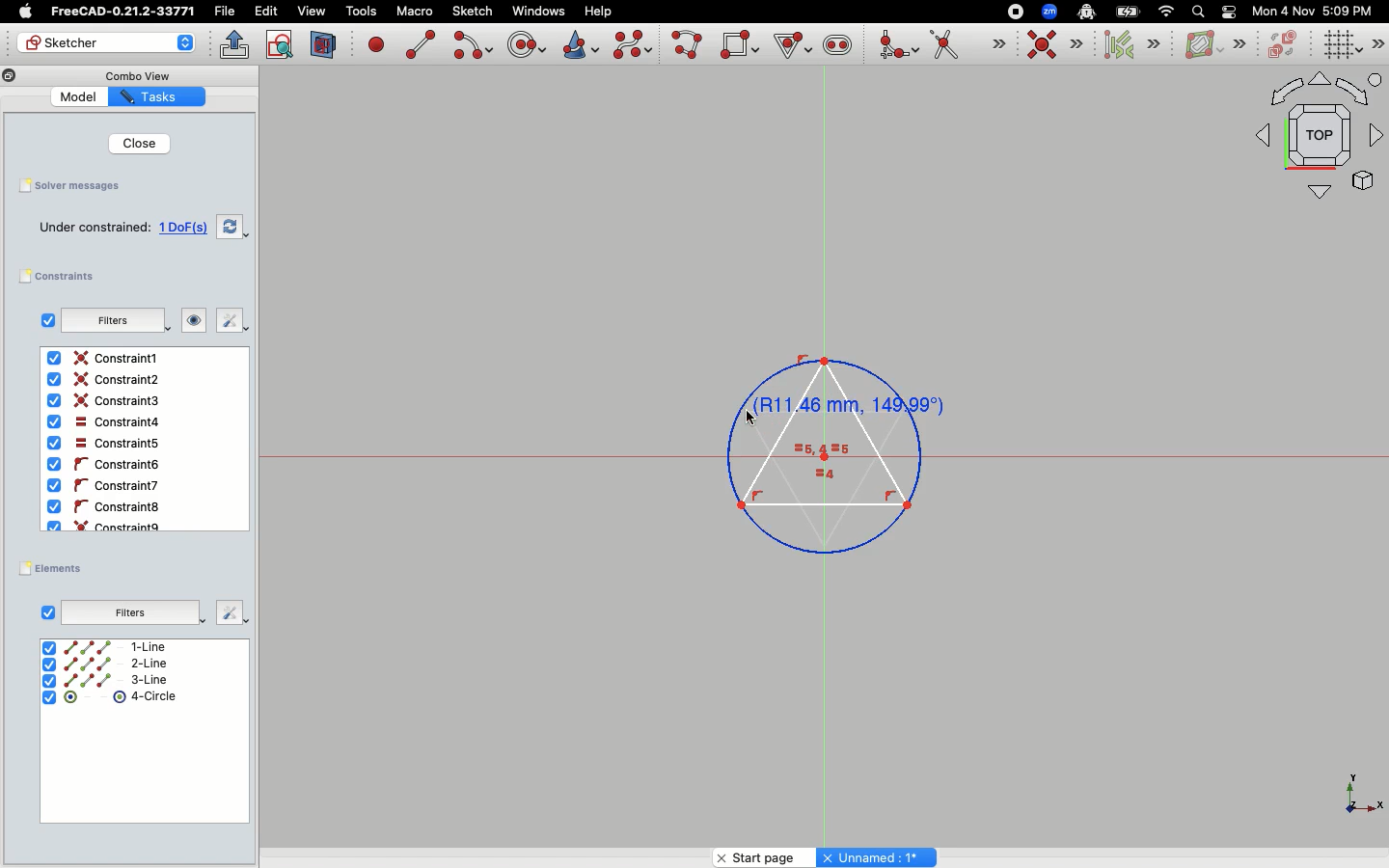 This screenshot has width=1389, height=868. What do you see at coordinates (107, 465) in the screenshot?
I see `Constaint6` at bounding box center [107, 465].